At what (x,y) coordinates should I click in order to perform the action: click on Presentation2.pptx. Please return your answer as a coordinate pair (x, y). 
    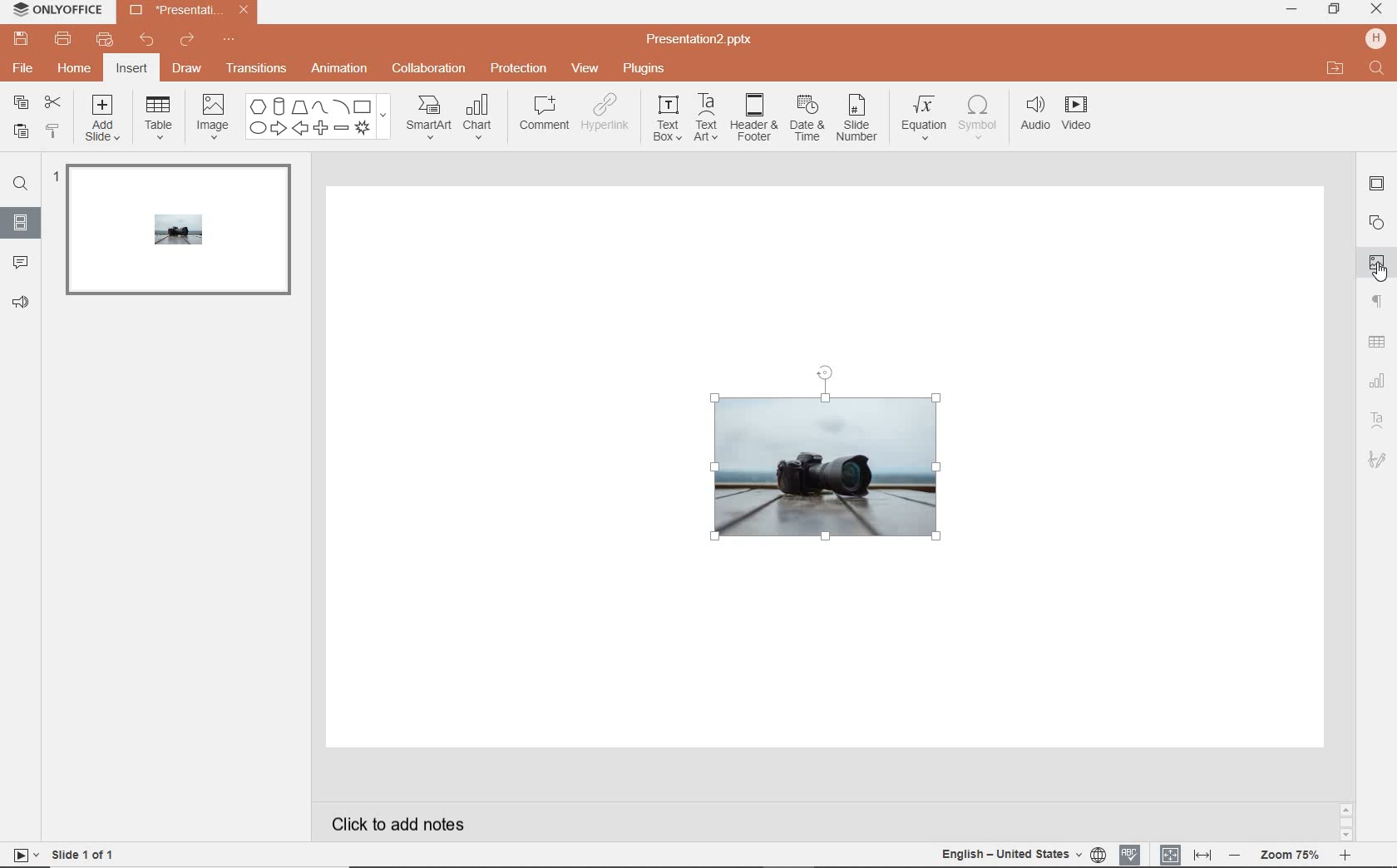
    Looking at the image, I should click on (185, 12).